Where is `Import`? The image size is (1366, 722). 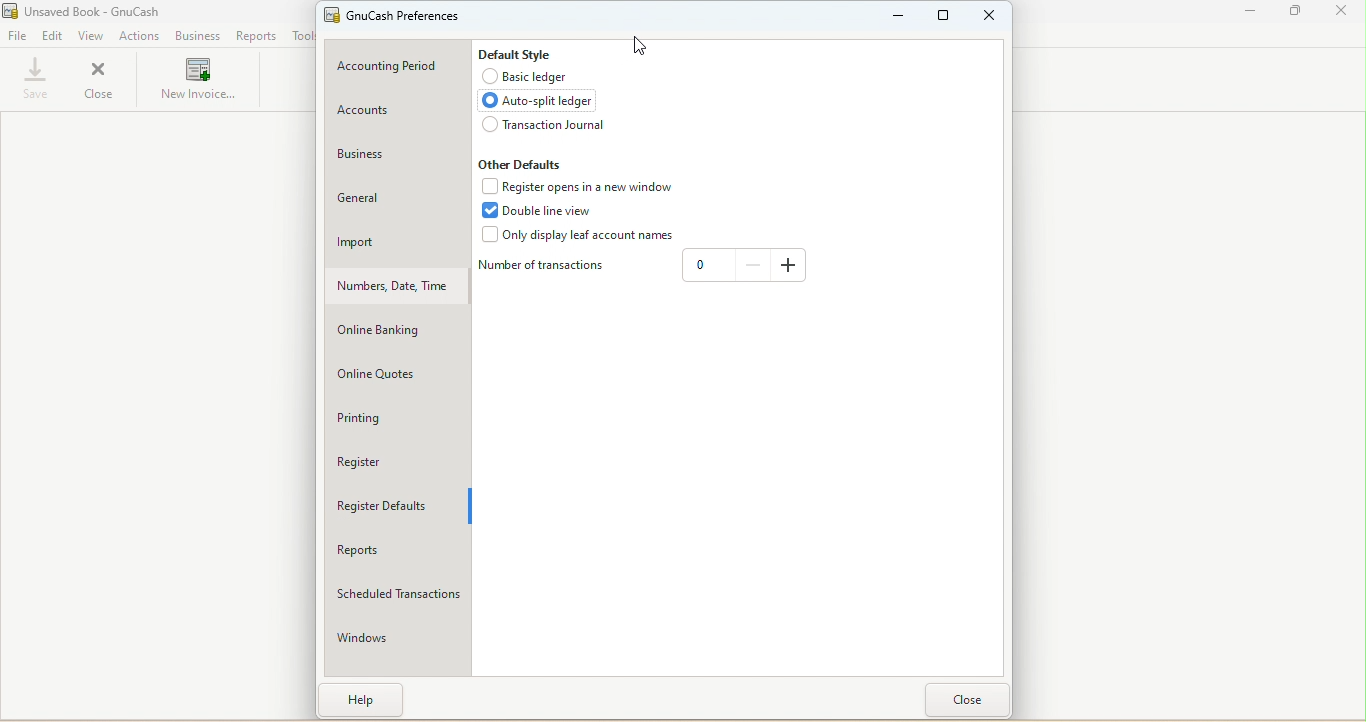
Import is located at coordinates (396, 242).